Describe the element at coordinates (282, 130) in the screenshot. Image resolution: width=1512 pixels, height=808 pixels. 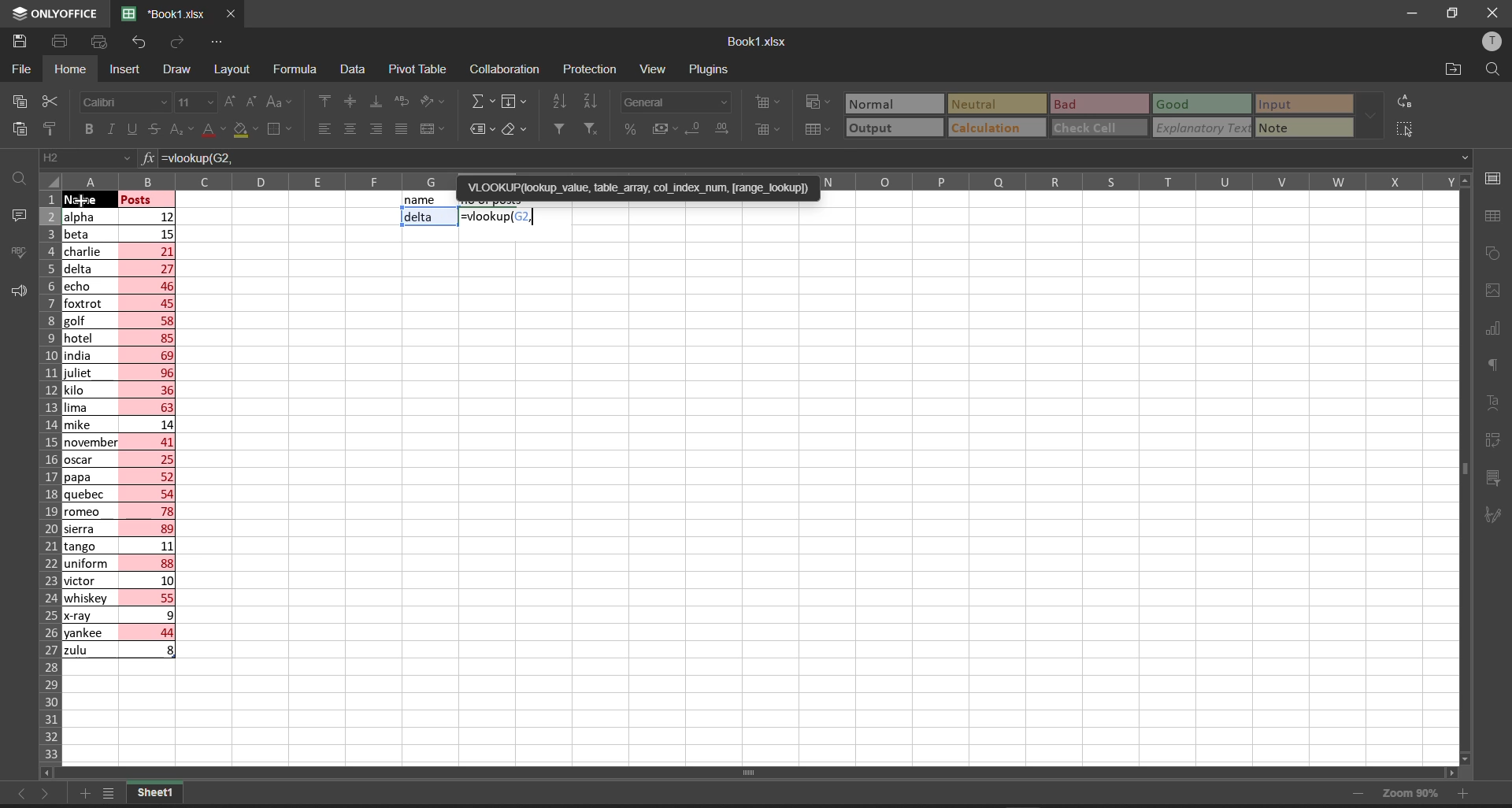
I see `borders` at that location.